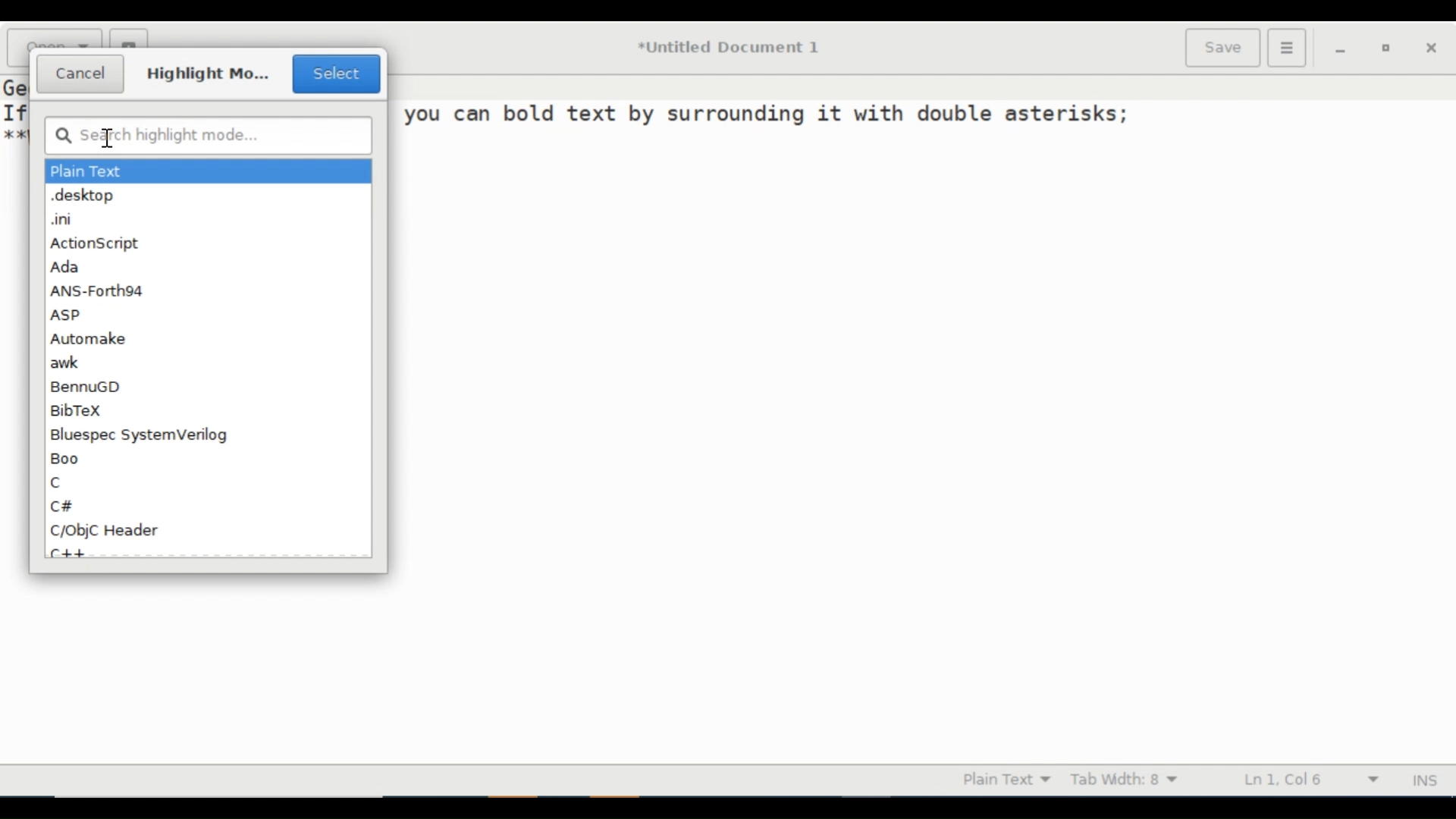 The width and height of the screenshot is (1456, 819). I want to click on ASP, so click(65, 315).